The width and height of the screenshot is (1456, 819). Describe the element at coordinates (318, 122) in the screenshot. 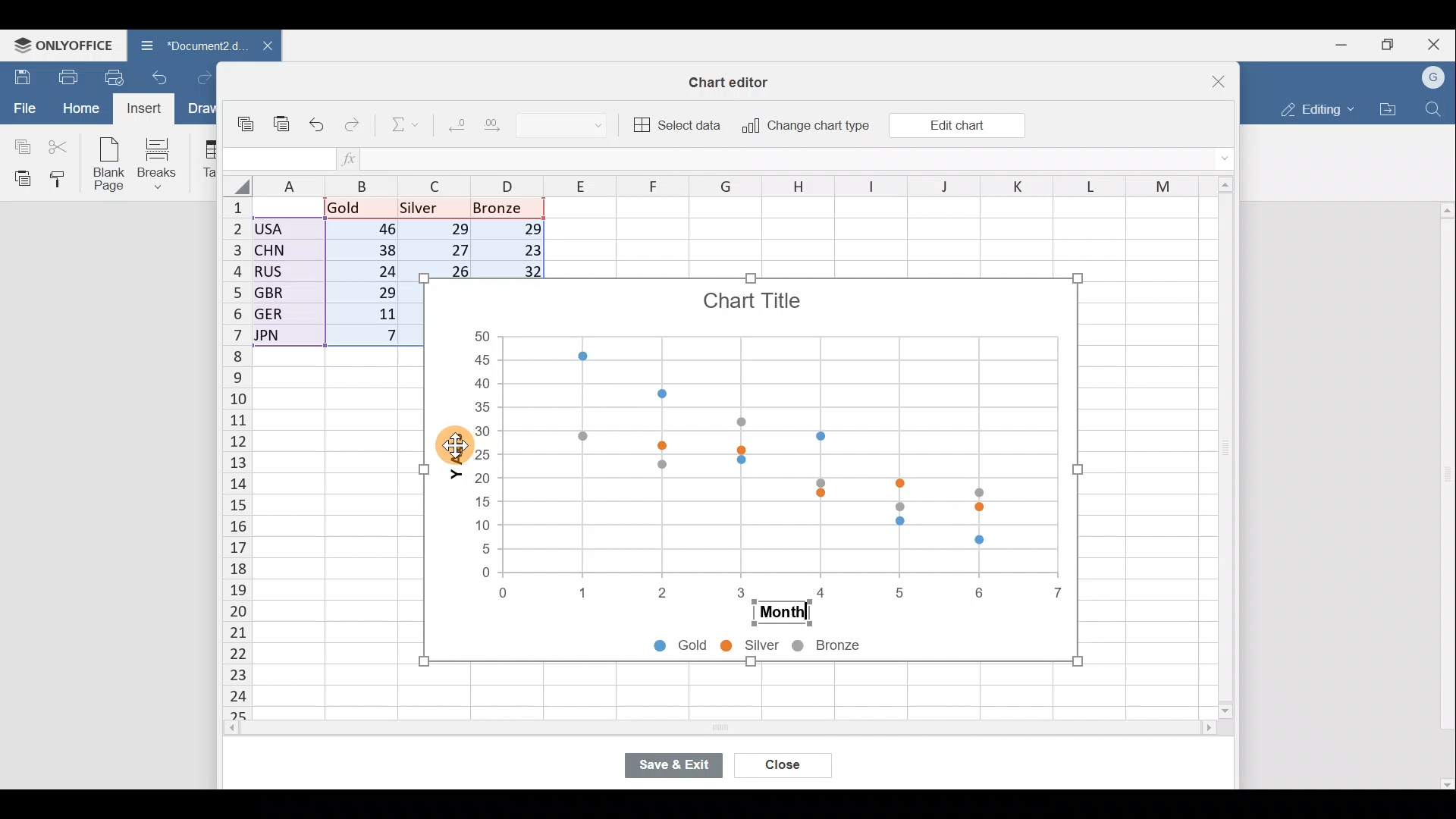

I see `Undo` at that location.